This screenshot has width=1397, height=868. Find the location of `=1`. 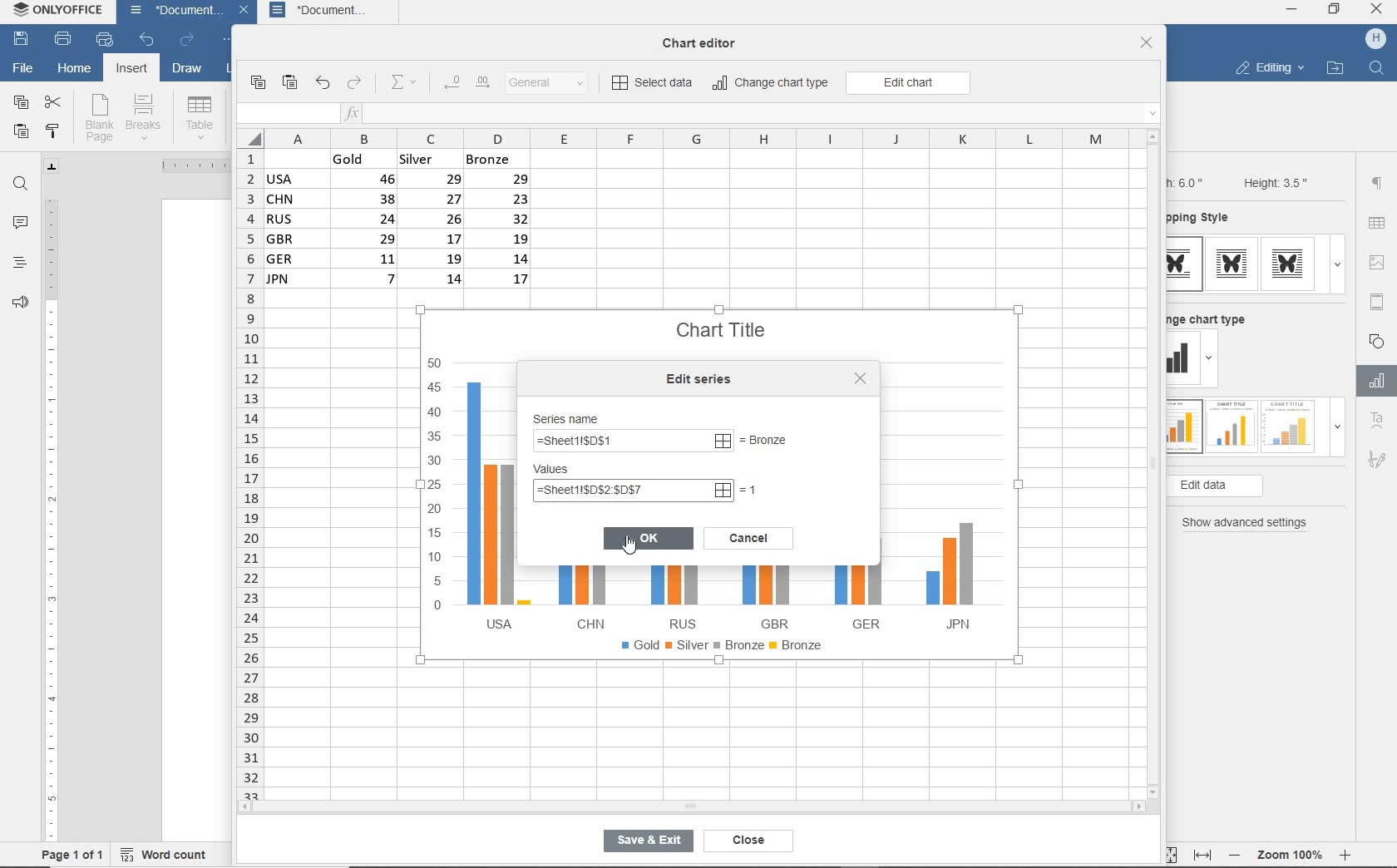

=1 is located at coordinates (751, 489).